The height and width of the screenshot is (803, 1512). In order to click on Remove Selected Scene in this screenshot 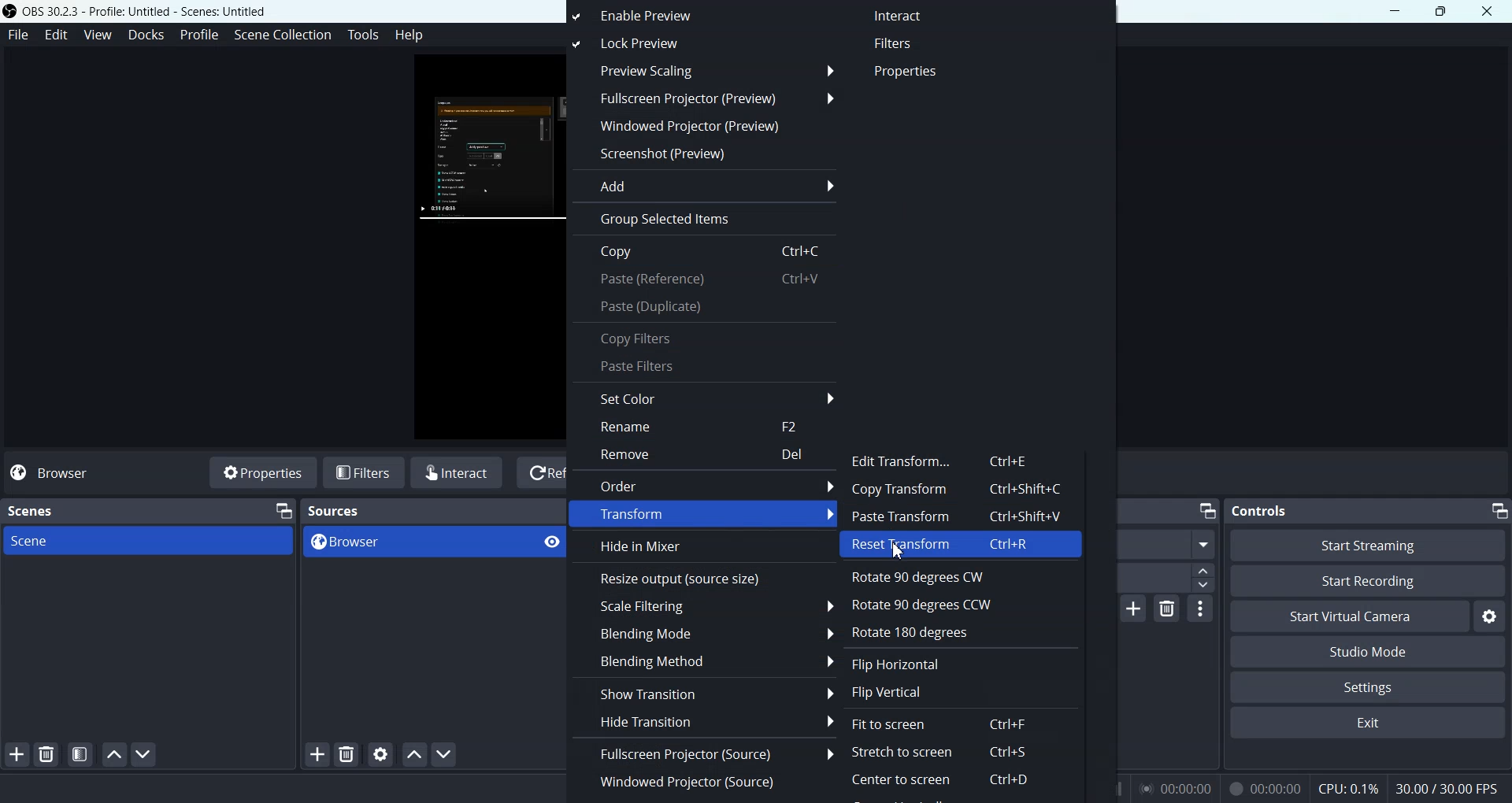, I will do `click(49, 754)`.